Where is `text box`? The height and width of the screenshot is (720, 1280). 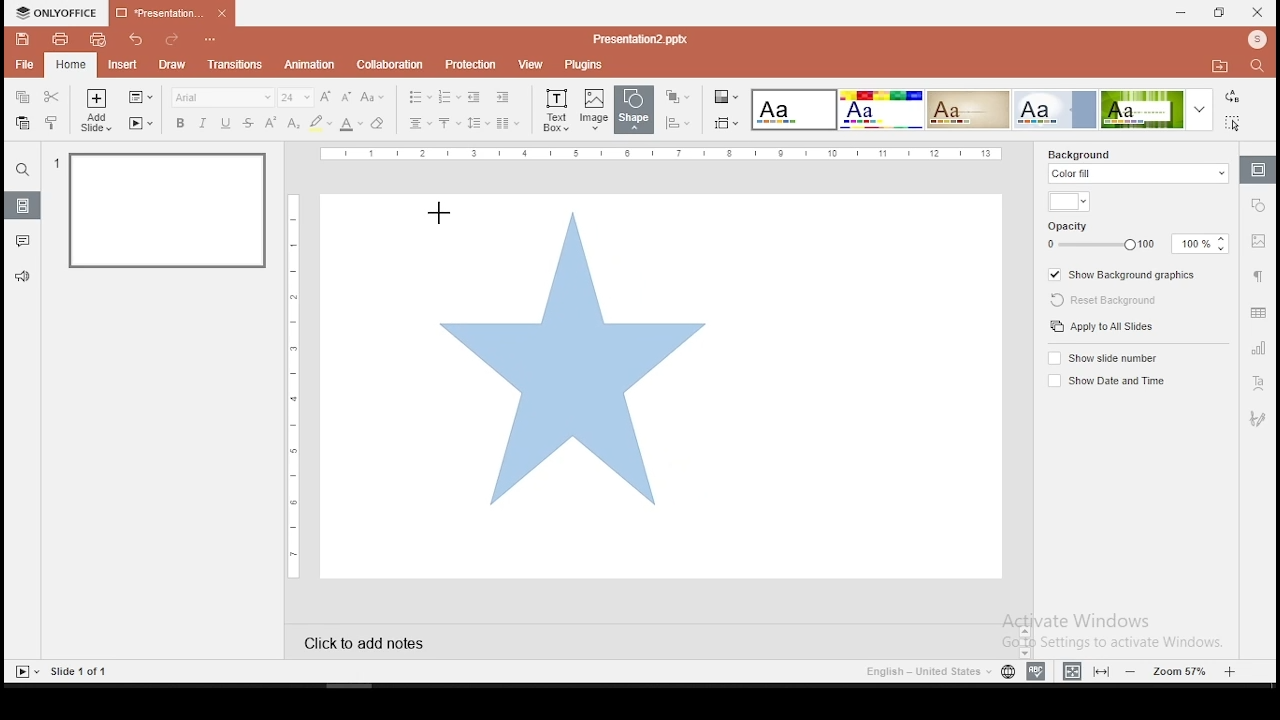
text box is located at coordinates (555, 109).